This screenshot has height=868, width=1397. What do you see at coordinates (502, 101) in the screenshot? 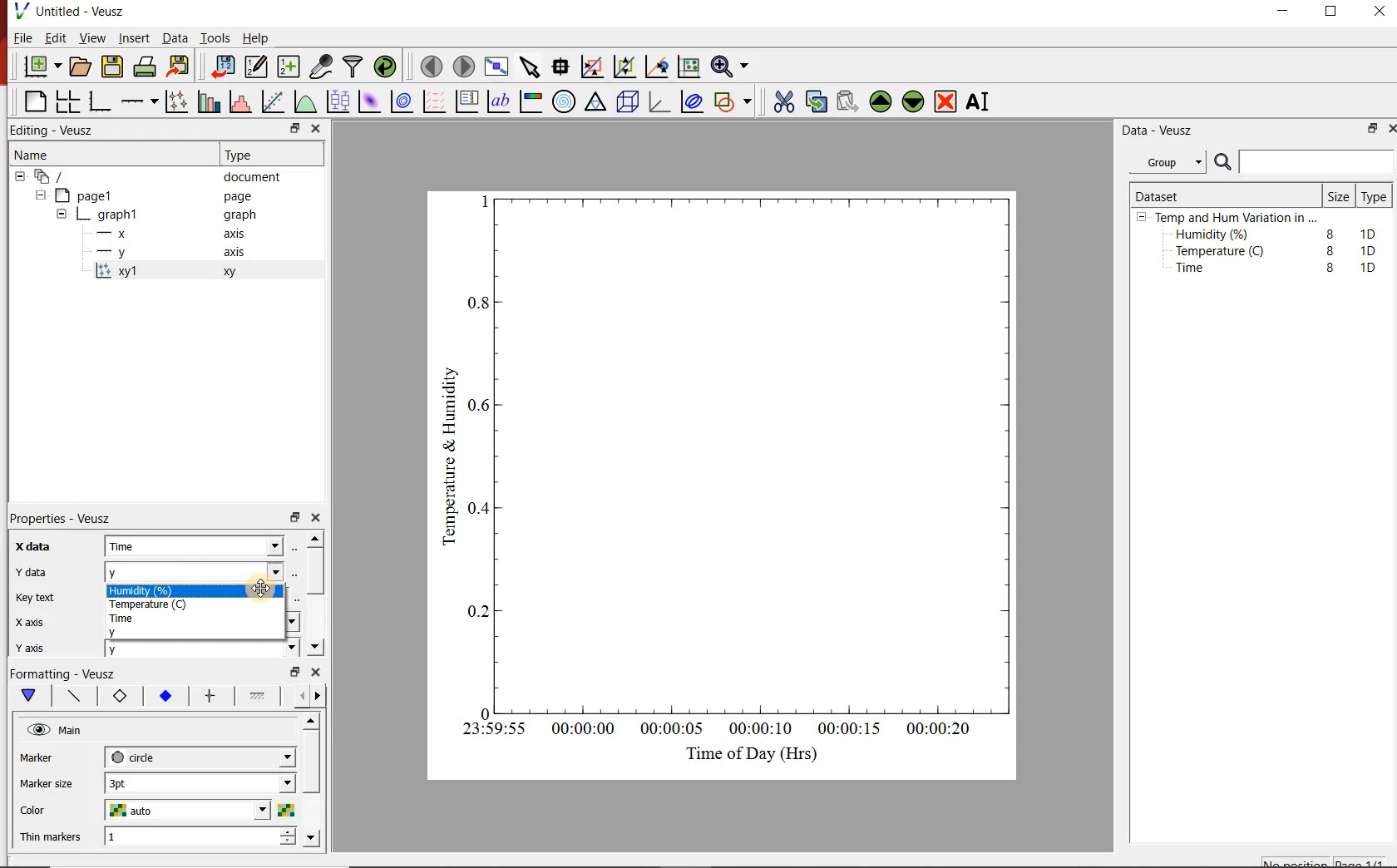
I see `text label` at bounding box center [502, 101].